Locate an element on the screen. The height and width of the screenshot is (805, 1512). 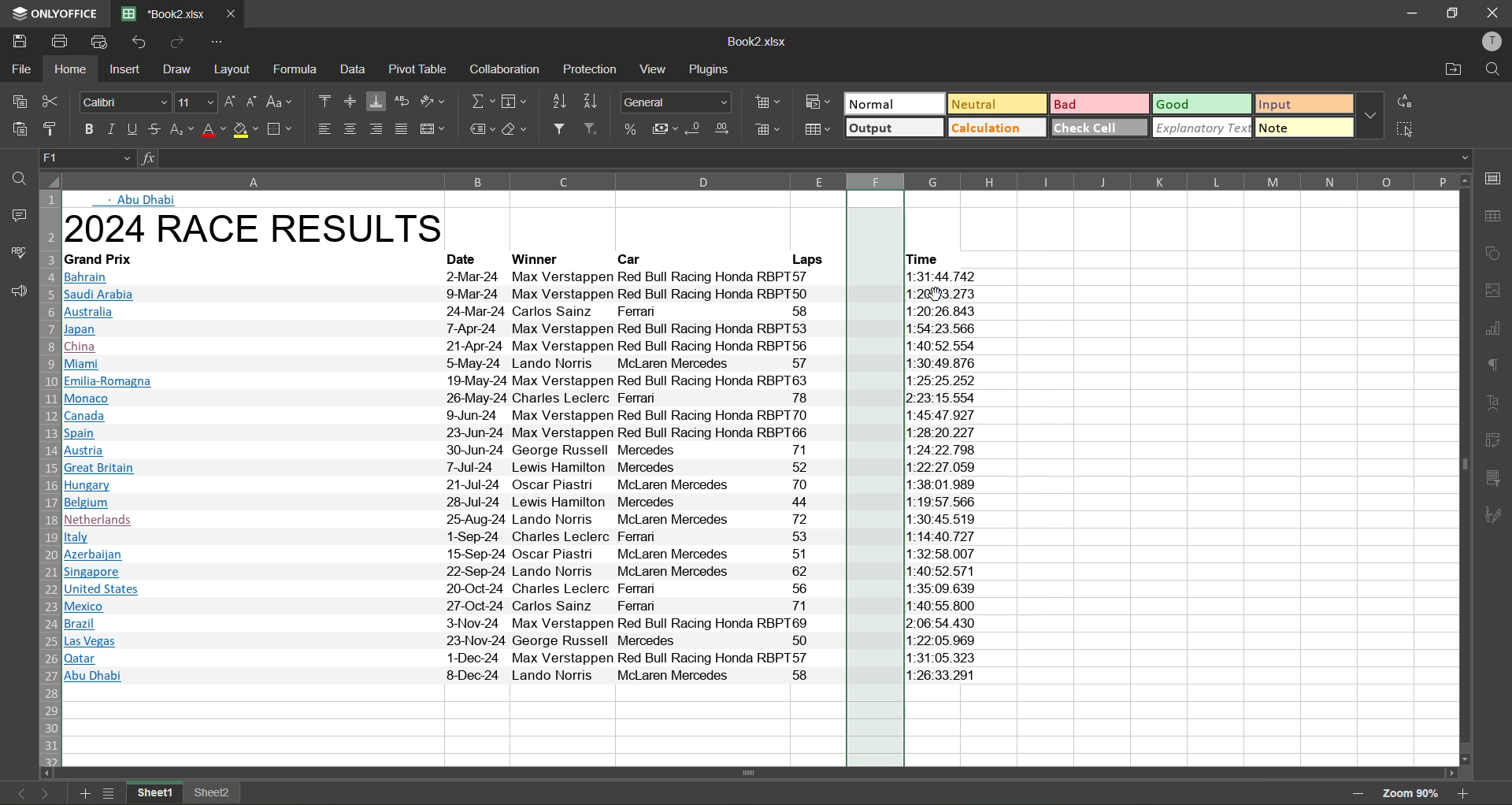
sheet1 is located at coordinates (156, 795).